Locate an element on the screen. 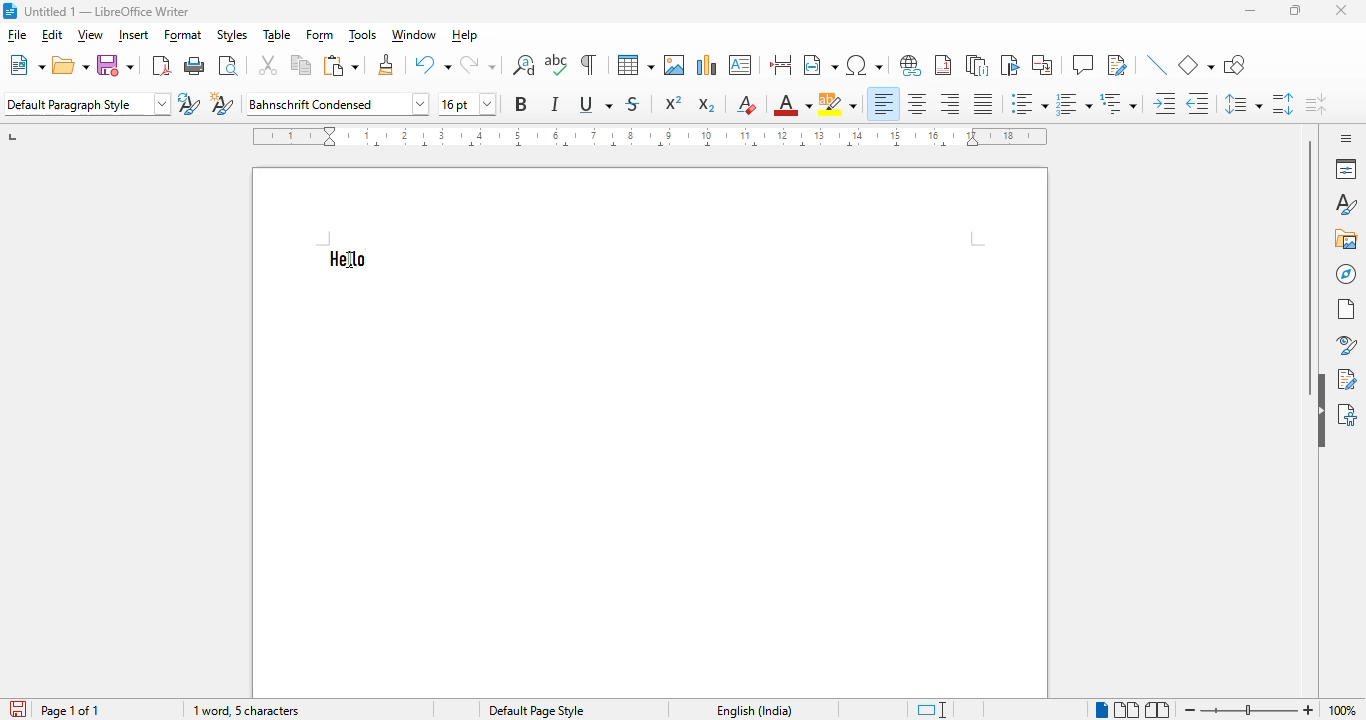  find and replace is located at coordinates (524, 65).